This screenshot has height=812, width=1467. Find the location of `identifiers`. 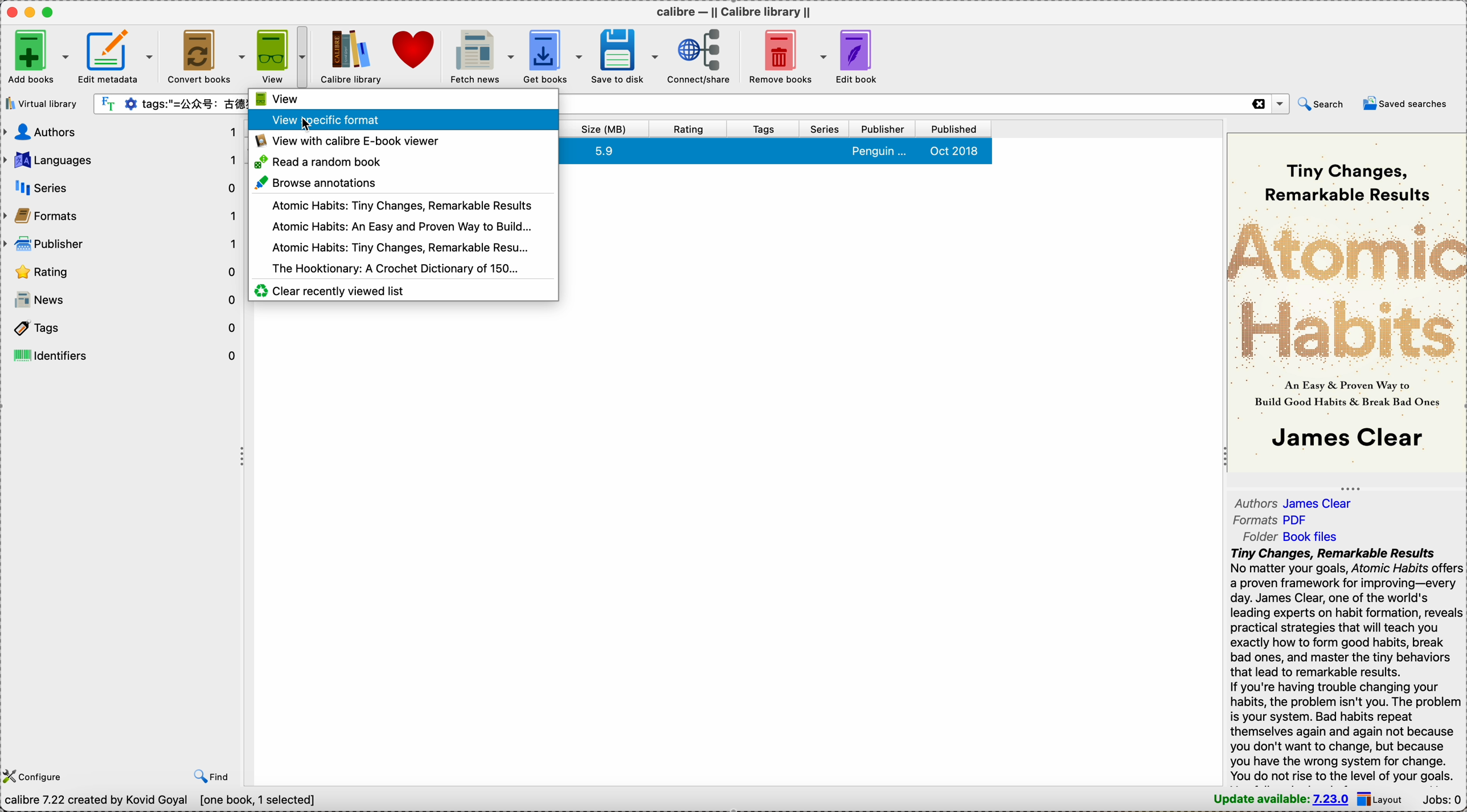

identifiers is located at coordinates (121, 355).